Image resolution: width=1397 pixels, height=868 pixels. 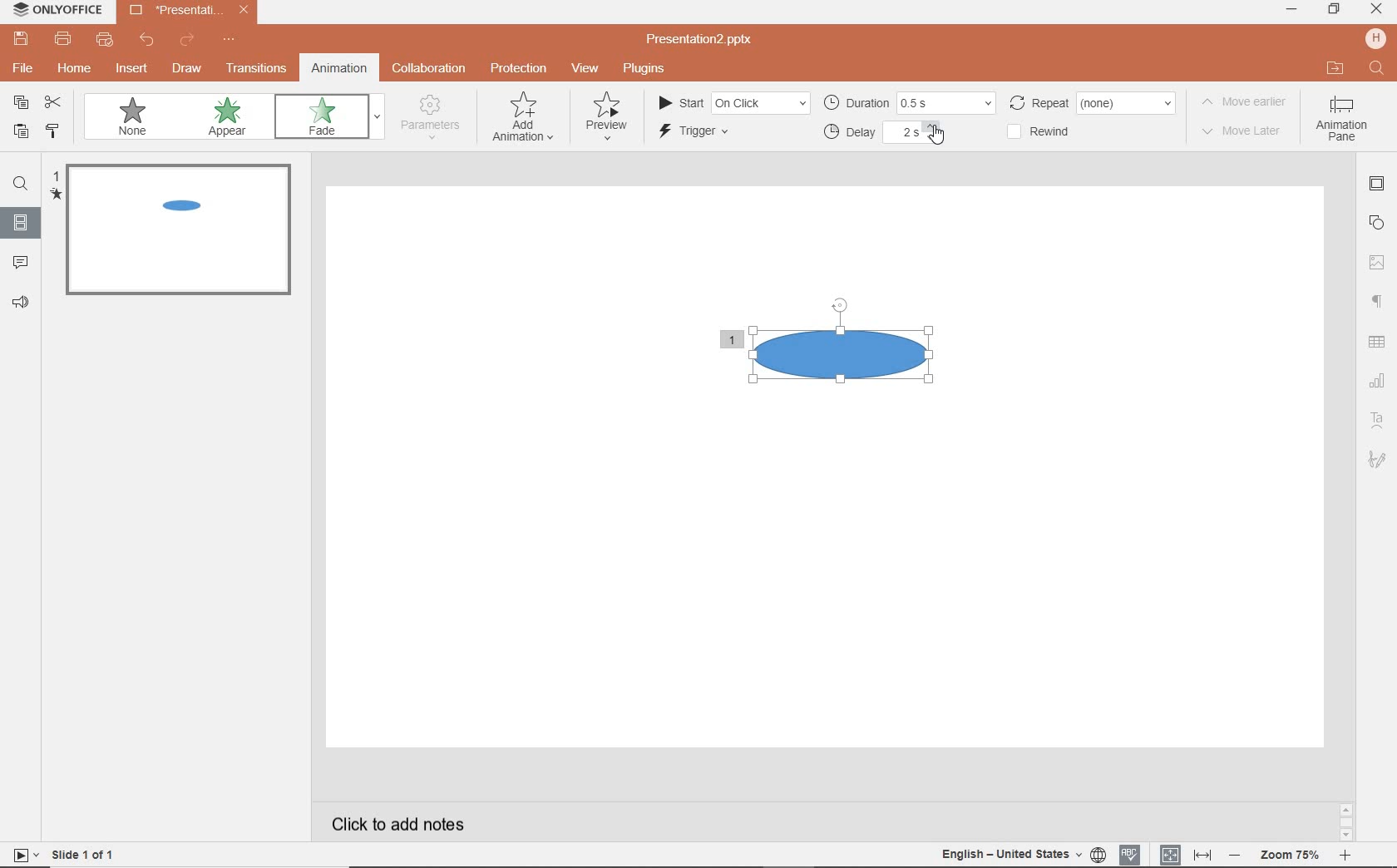 What do you see at coordinates (848, 133) in the screenshot?
I see `delay` at bounding box center [848, 133].